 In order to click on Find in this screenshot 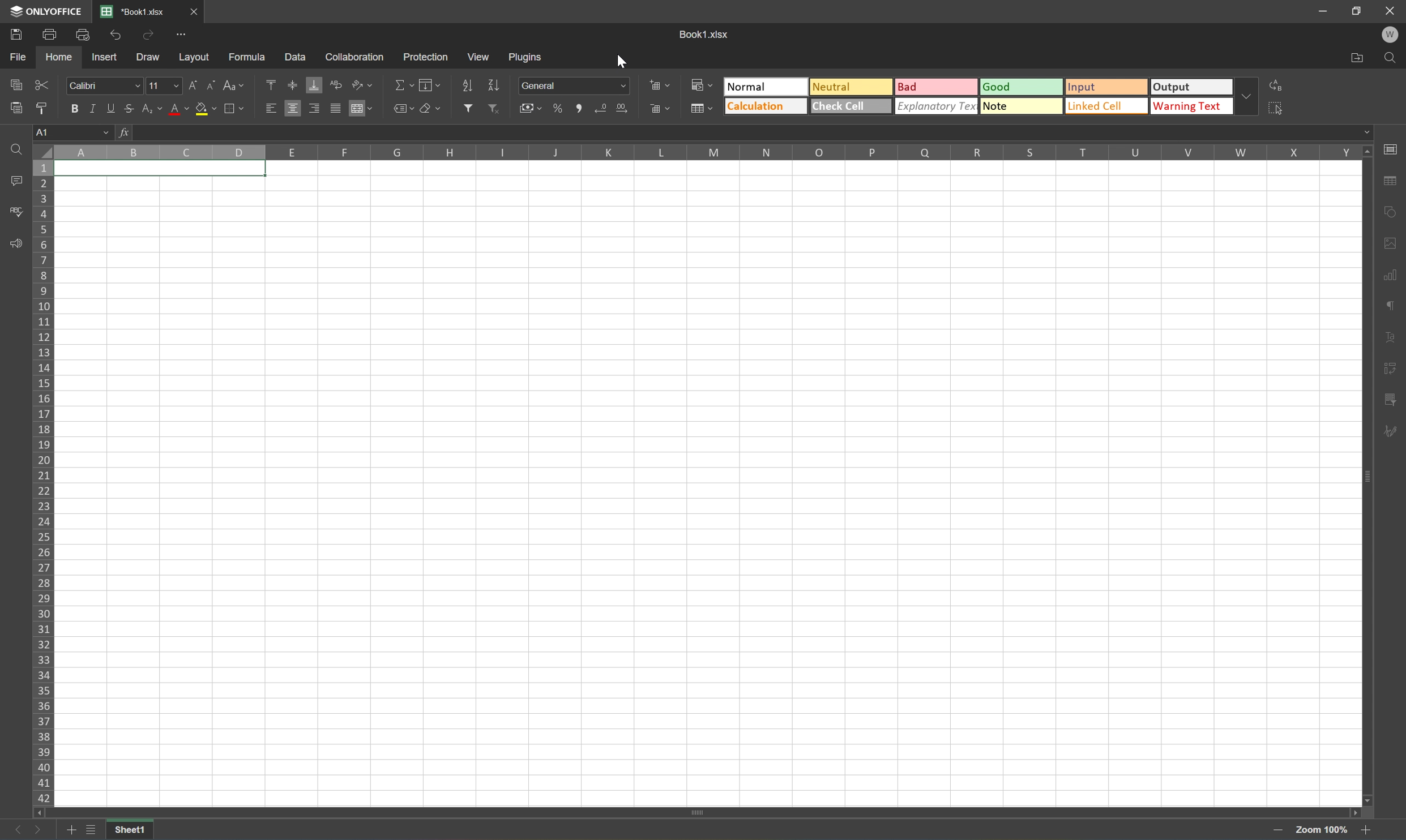, I will do `click(1393, 58)`.